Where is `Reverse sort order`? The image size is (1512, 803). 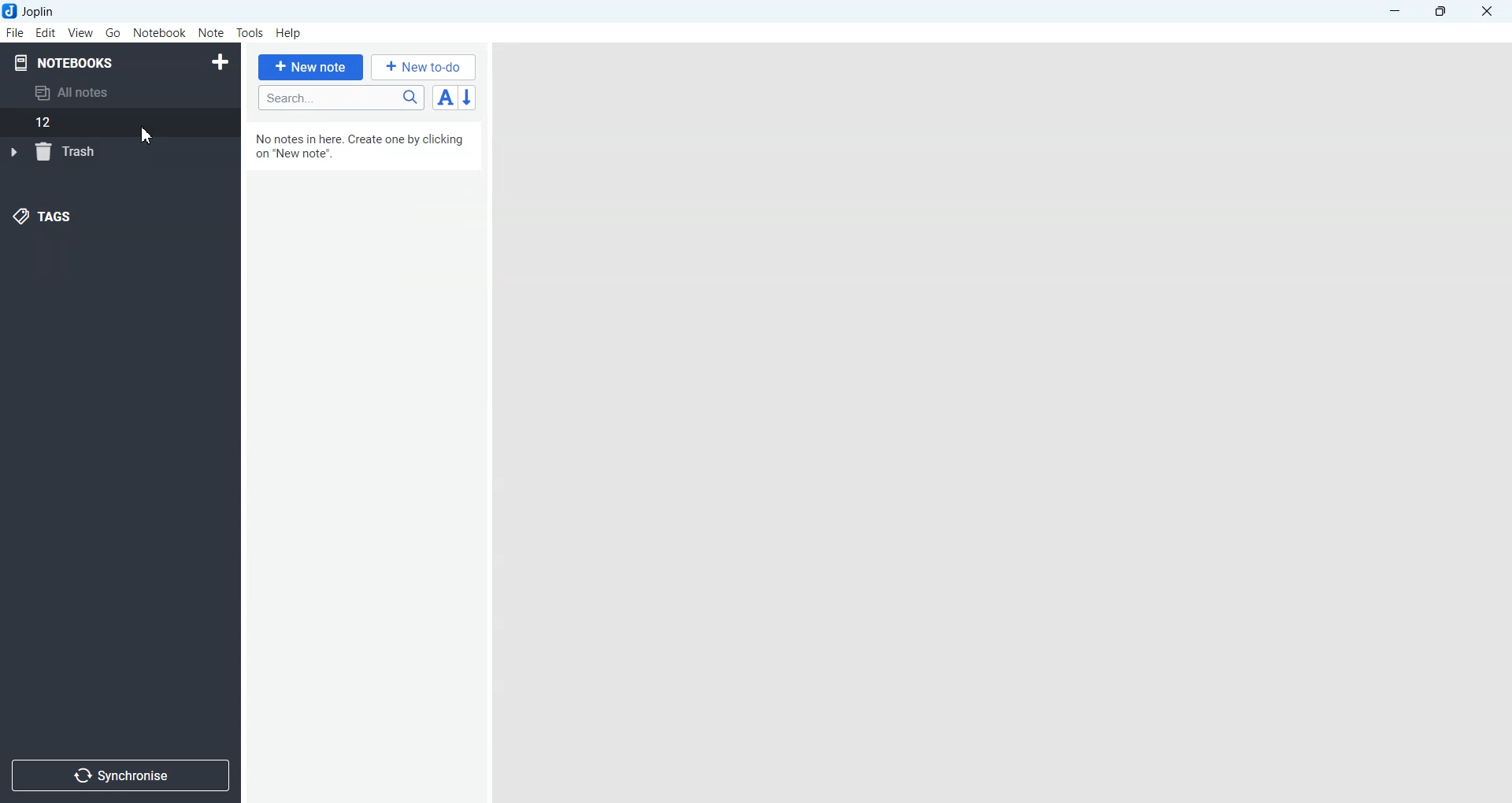
Reverse sort order is located at coordinates (469, 98).